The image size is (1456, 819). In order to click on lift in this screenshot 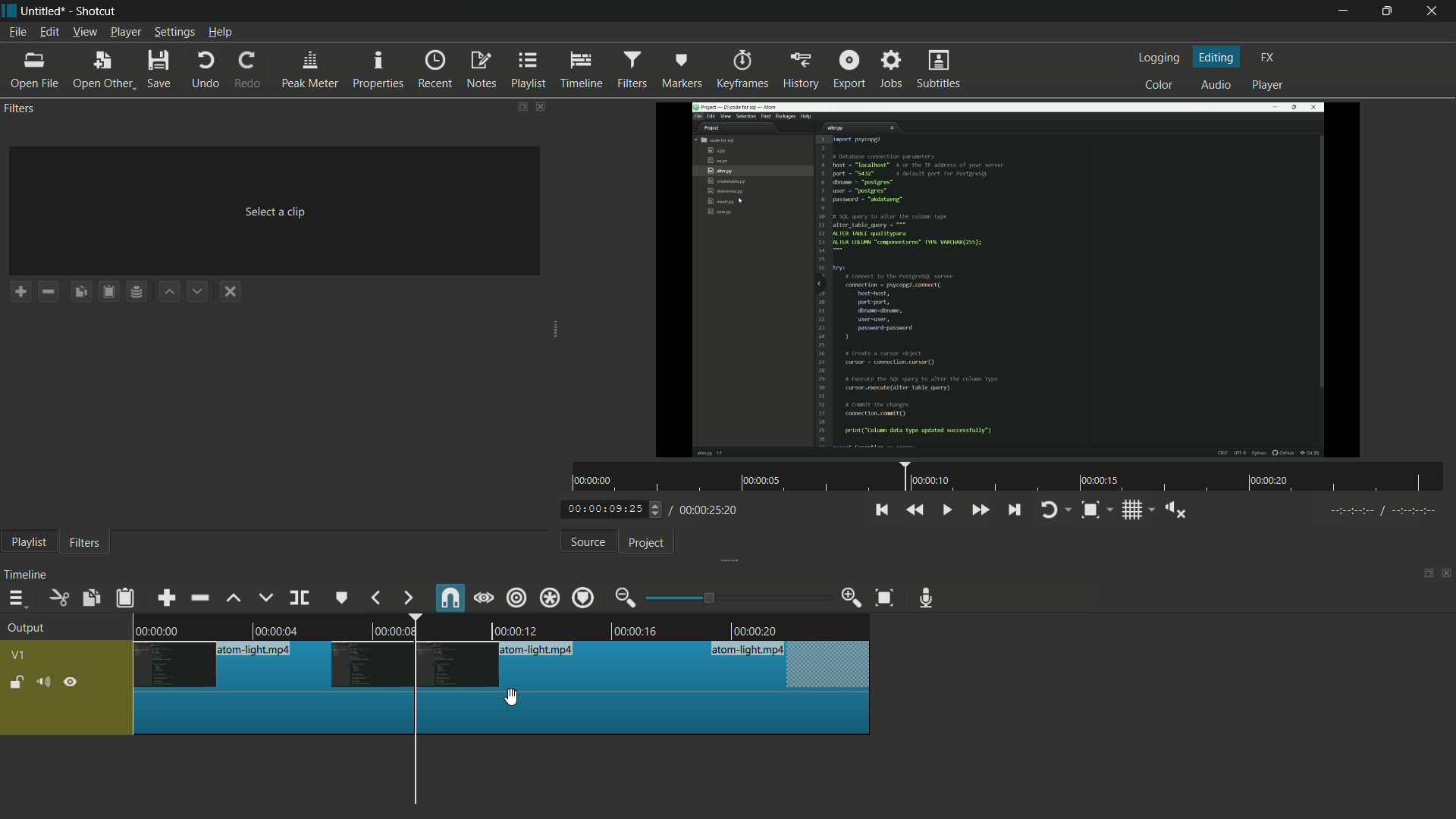, I will do `click(234, 598)`.